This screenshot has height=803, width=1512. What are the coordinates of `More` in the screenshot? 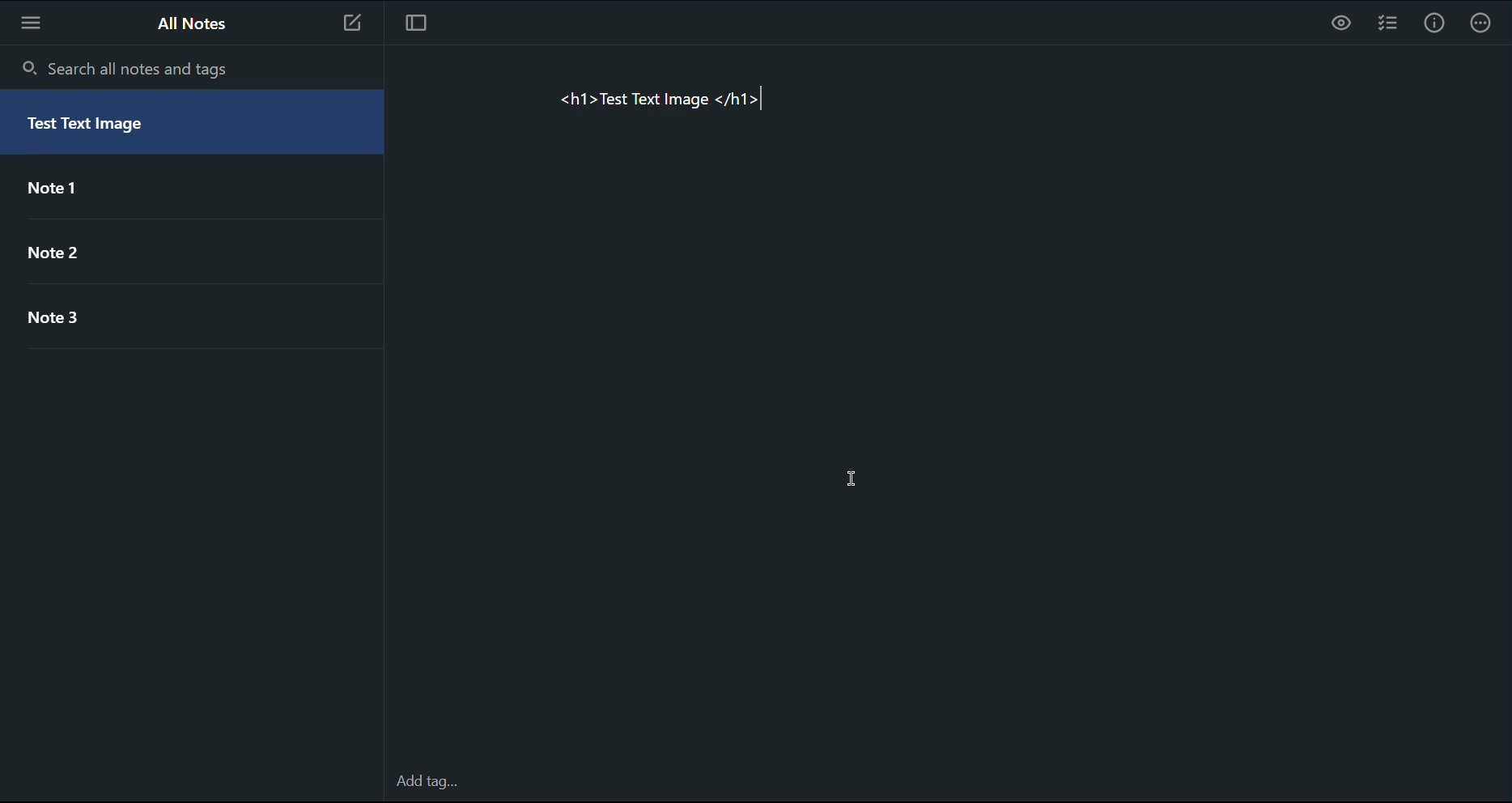 It's located at (1484, 26).